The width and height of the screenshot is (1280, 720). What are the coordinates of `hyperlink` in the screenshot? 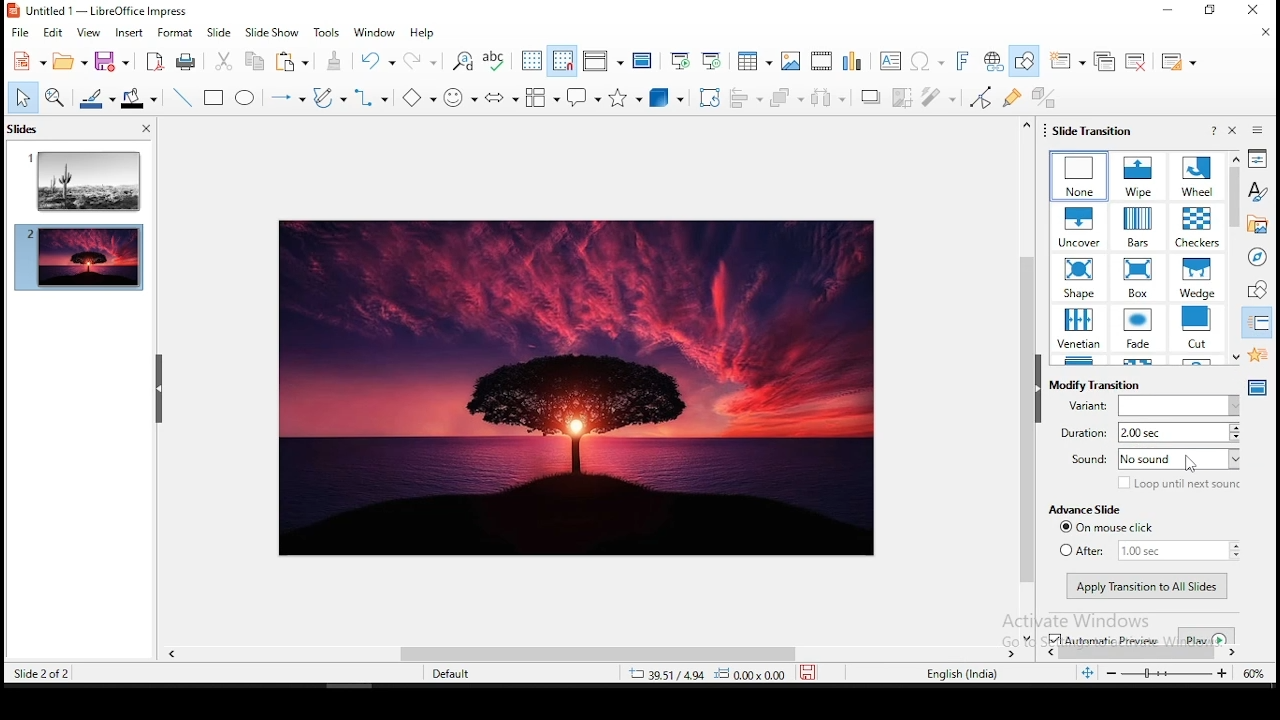 It's located at (995, 60).